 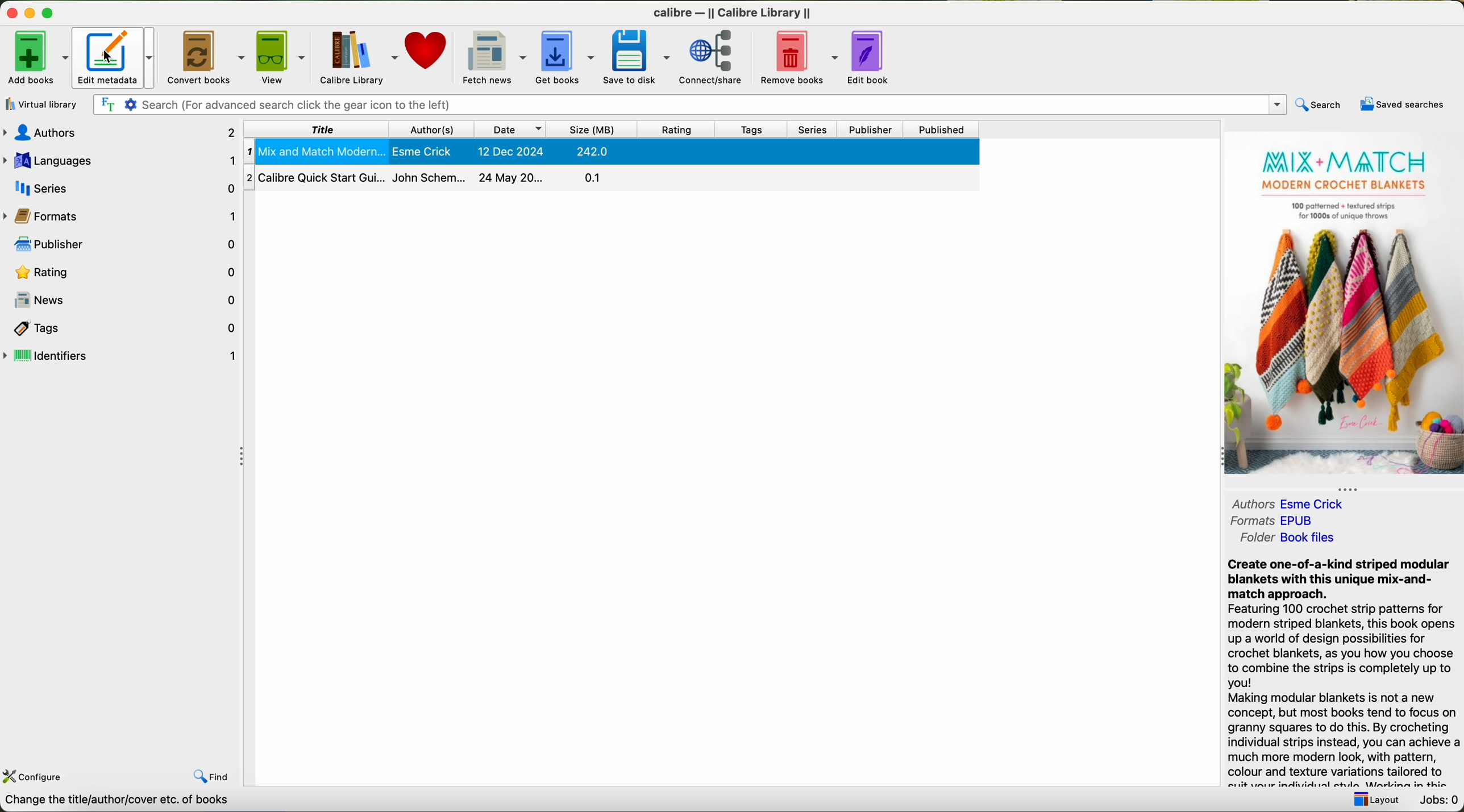 I want to click on virtual library, so click(x=39, y=104).